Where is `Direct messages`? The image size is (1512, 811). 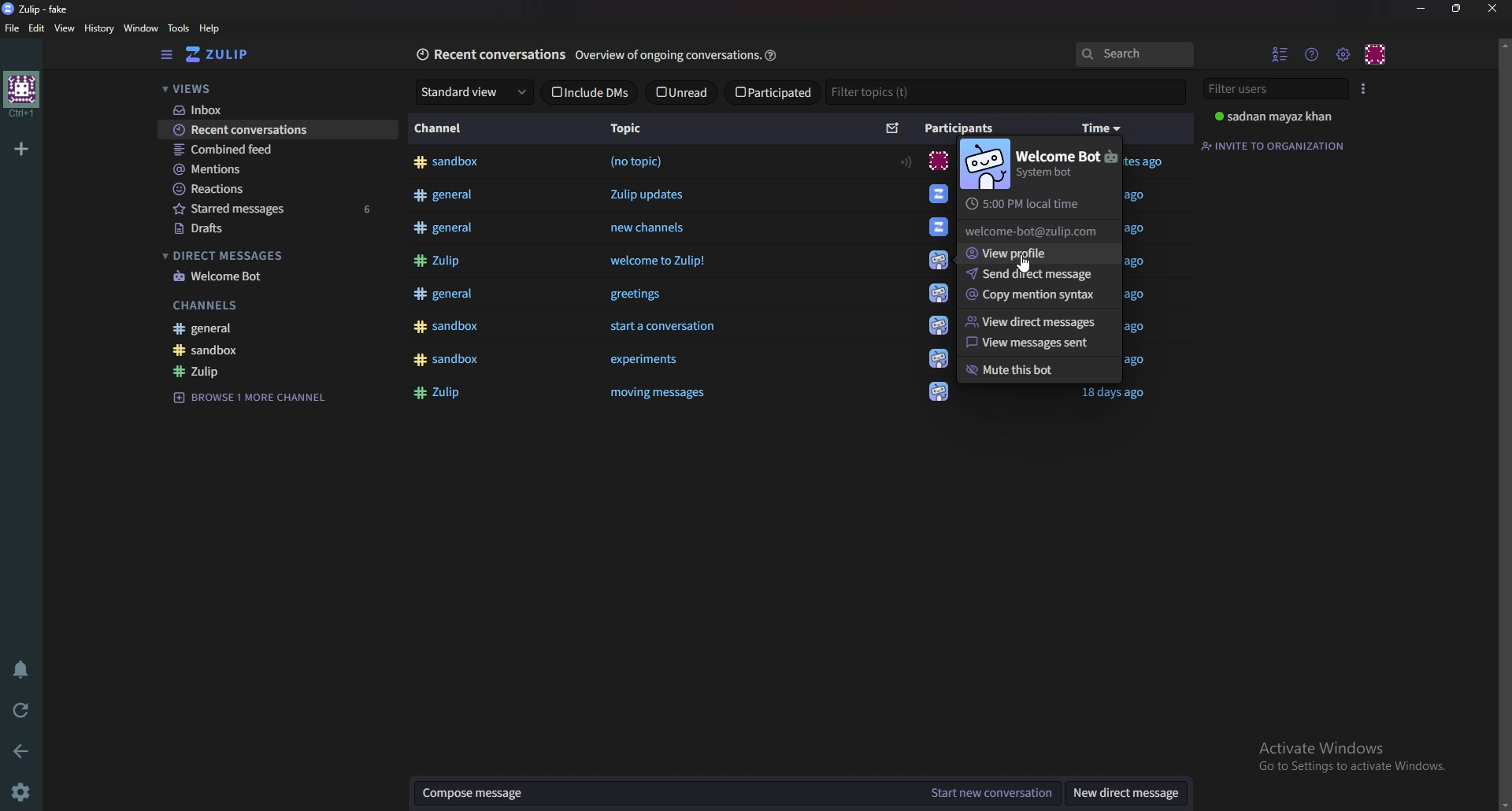
Direct messages is located at coordinates (272, 257).